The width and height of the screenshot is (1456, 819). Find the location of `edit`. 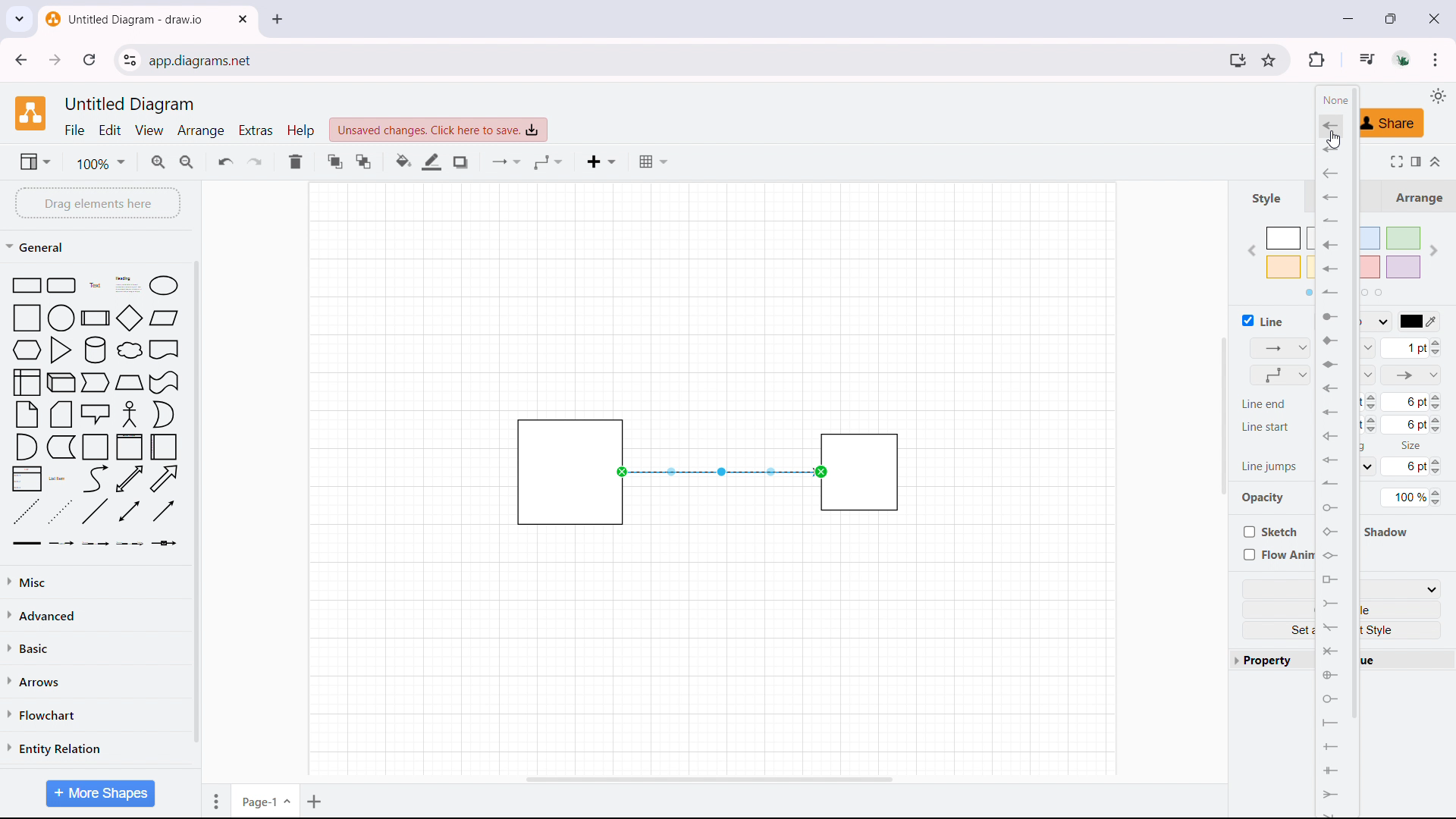

edit is located at coordinates (111, 130).